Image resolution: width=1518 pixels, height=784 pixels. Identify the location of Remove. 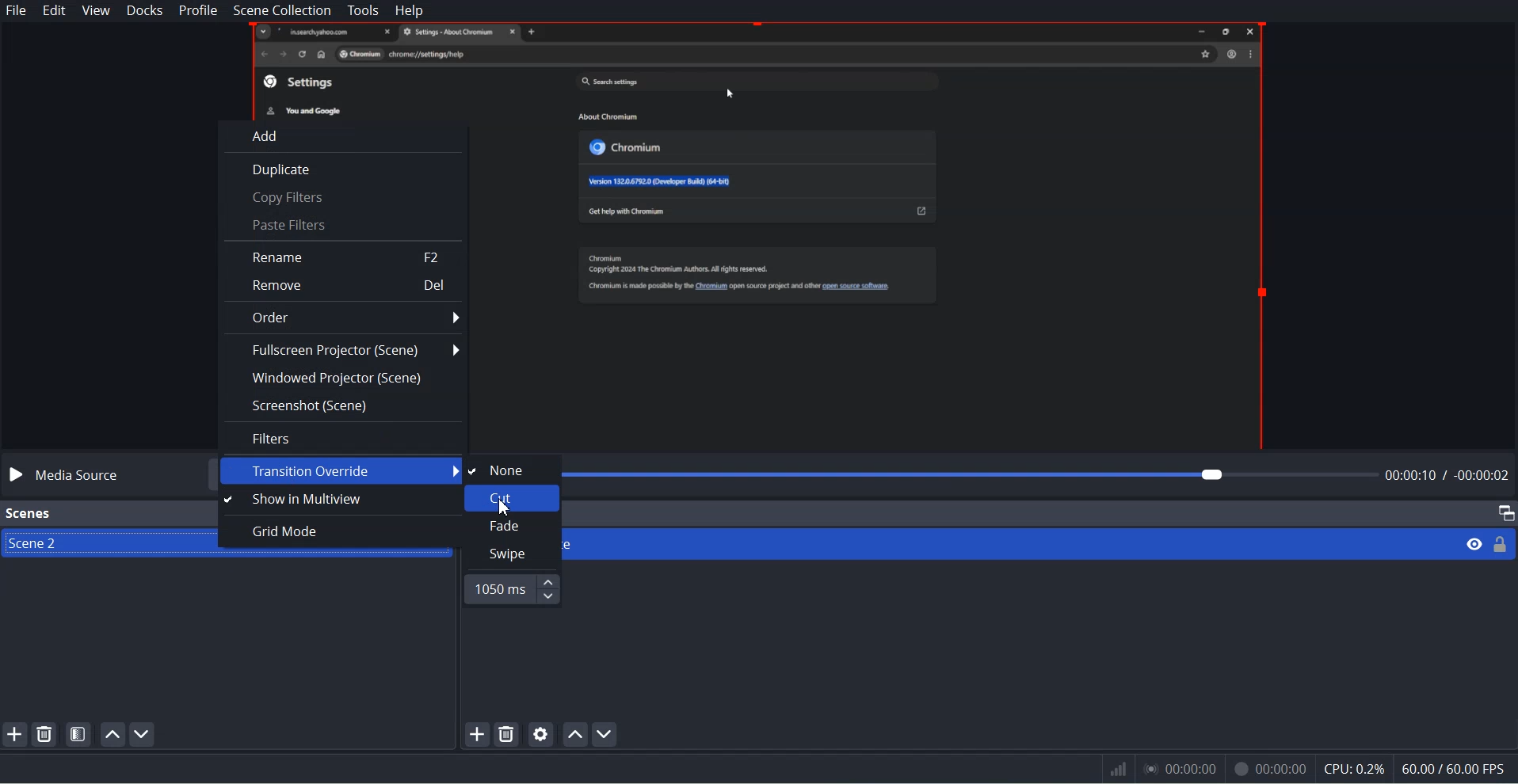
(344, 284).